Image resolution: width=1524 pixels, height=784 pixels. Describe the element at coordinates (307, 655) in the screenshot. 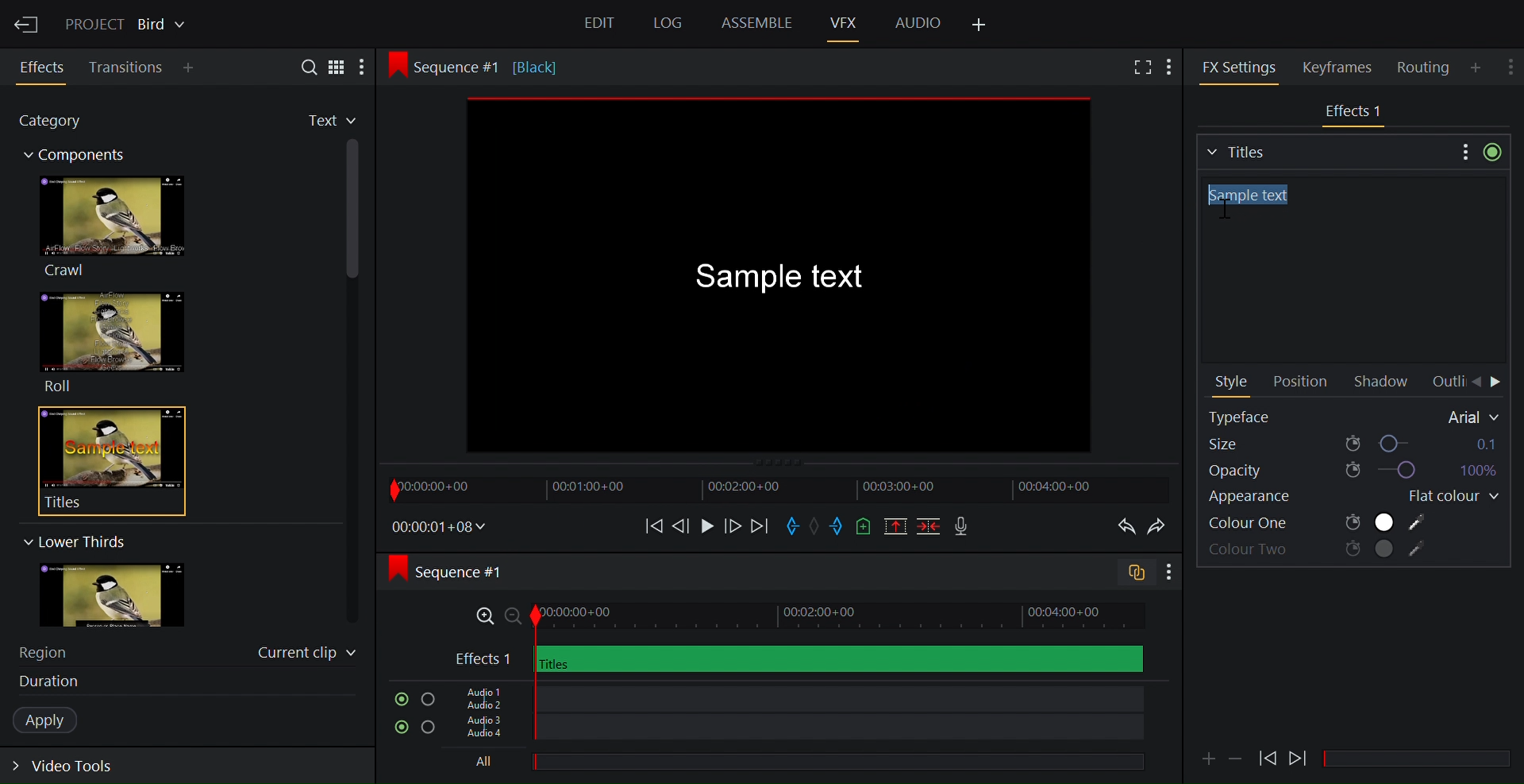

I see `Current clip` at that location.